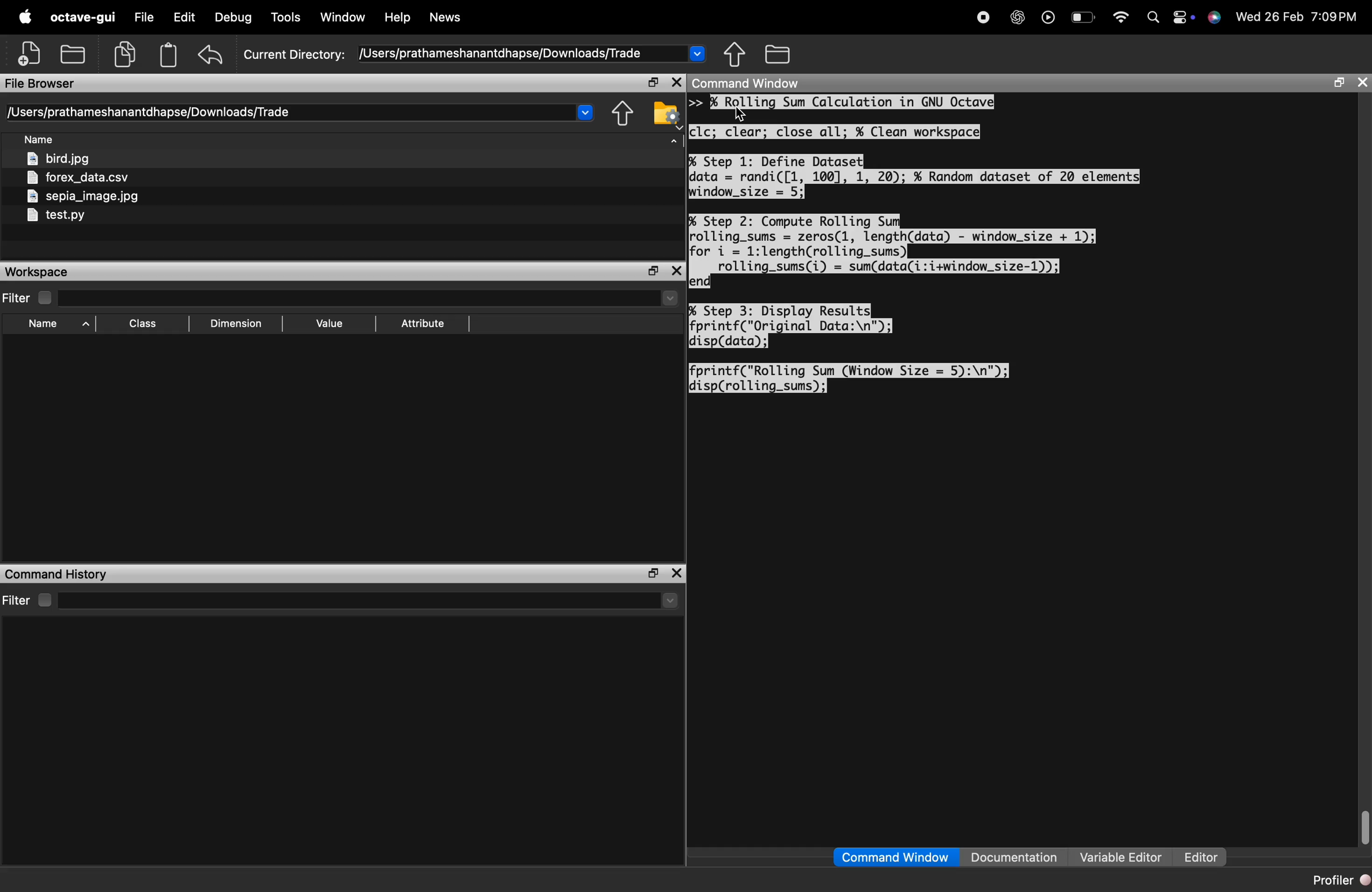  Describe the element at coordinates (146, 324) in the screenshot. I see `sort by class` at that location.